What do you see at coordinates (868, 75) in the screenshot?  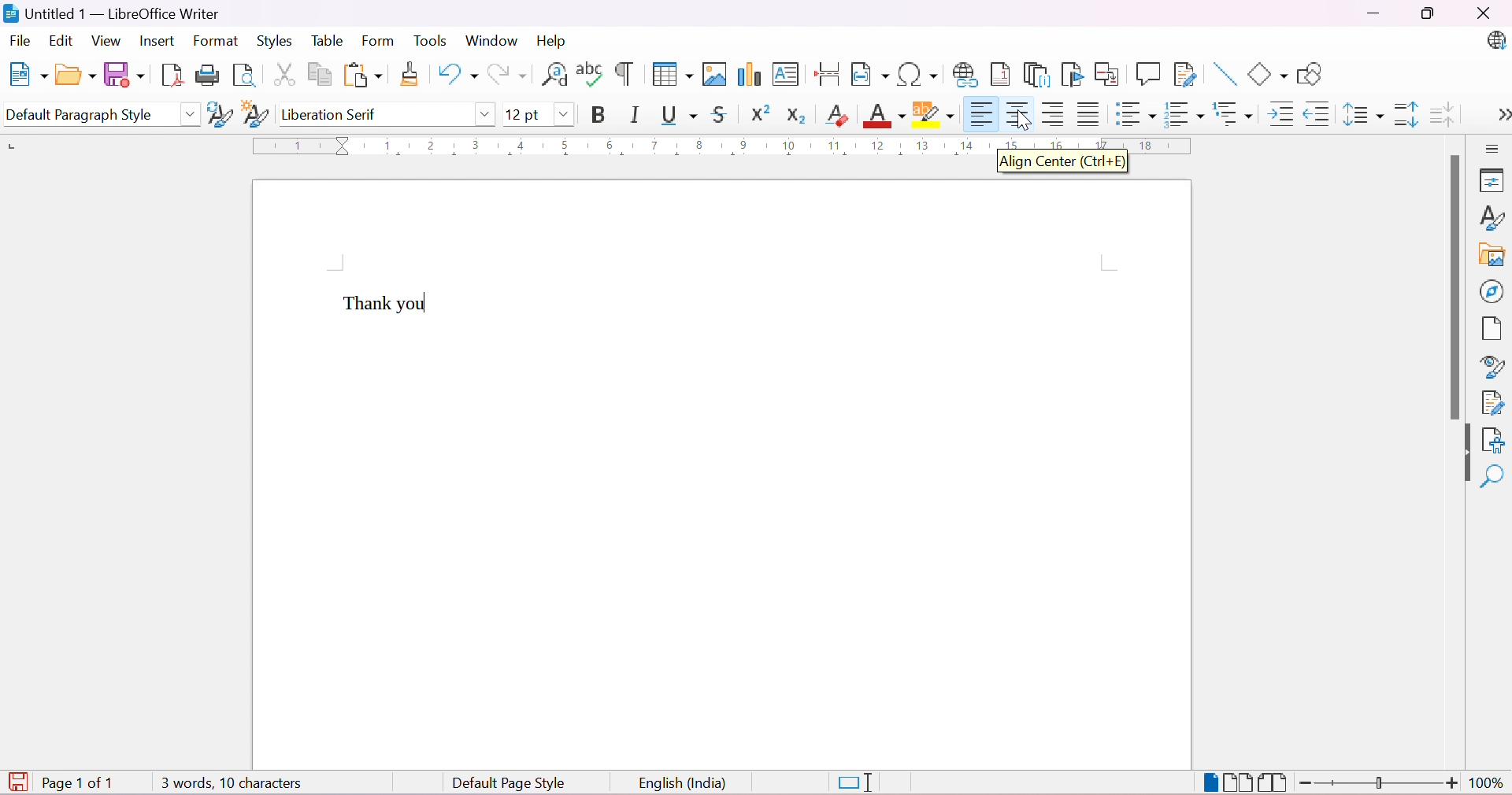 I see `Insert Field` at bounding box center [868, 75].